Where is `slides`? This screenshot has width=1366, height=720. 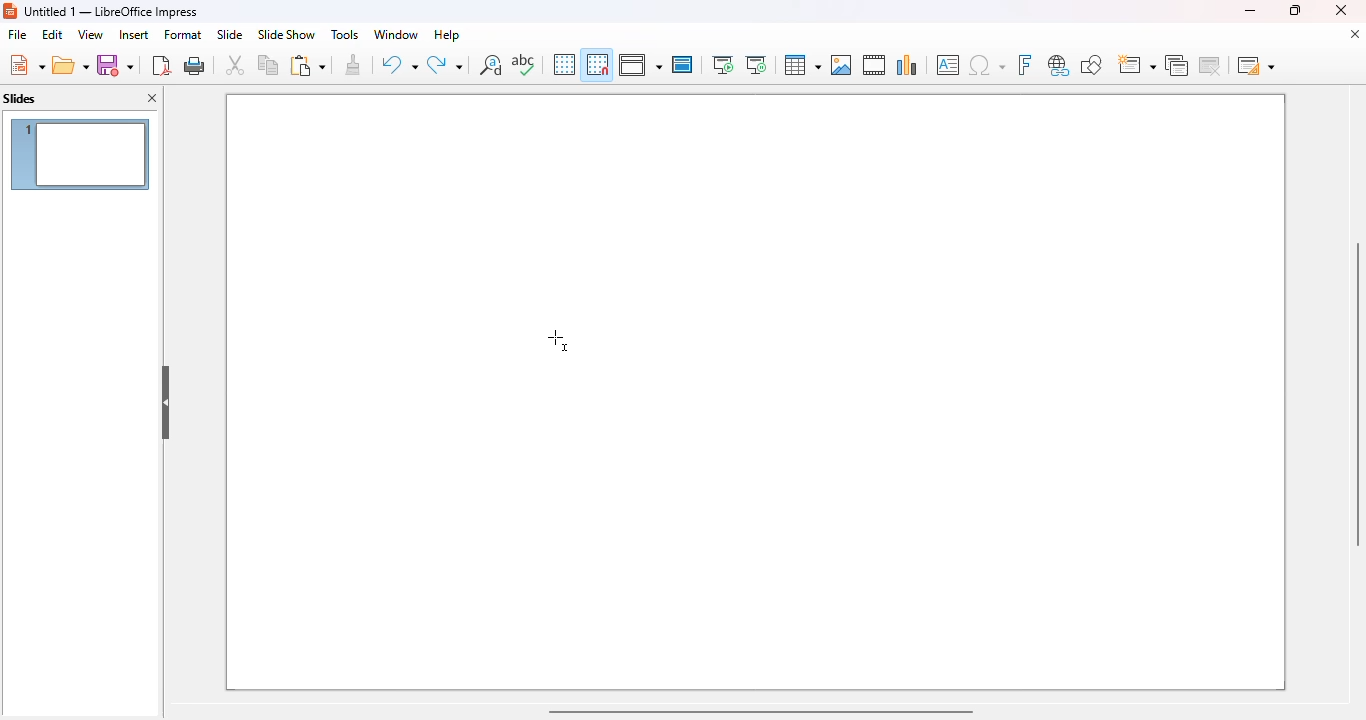
slides is located at coordinates (20, 99).